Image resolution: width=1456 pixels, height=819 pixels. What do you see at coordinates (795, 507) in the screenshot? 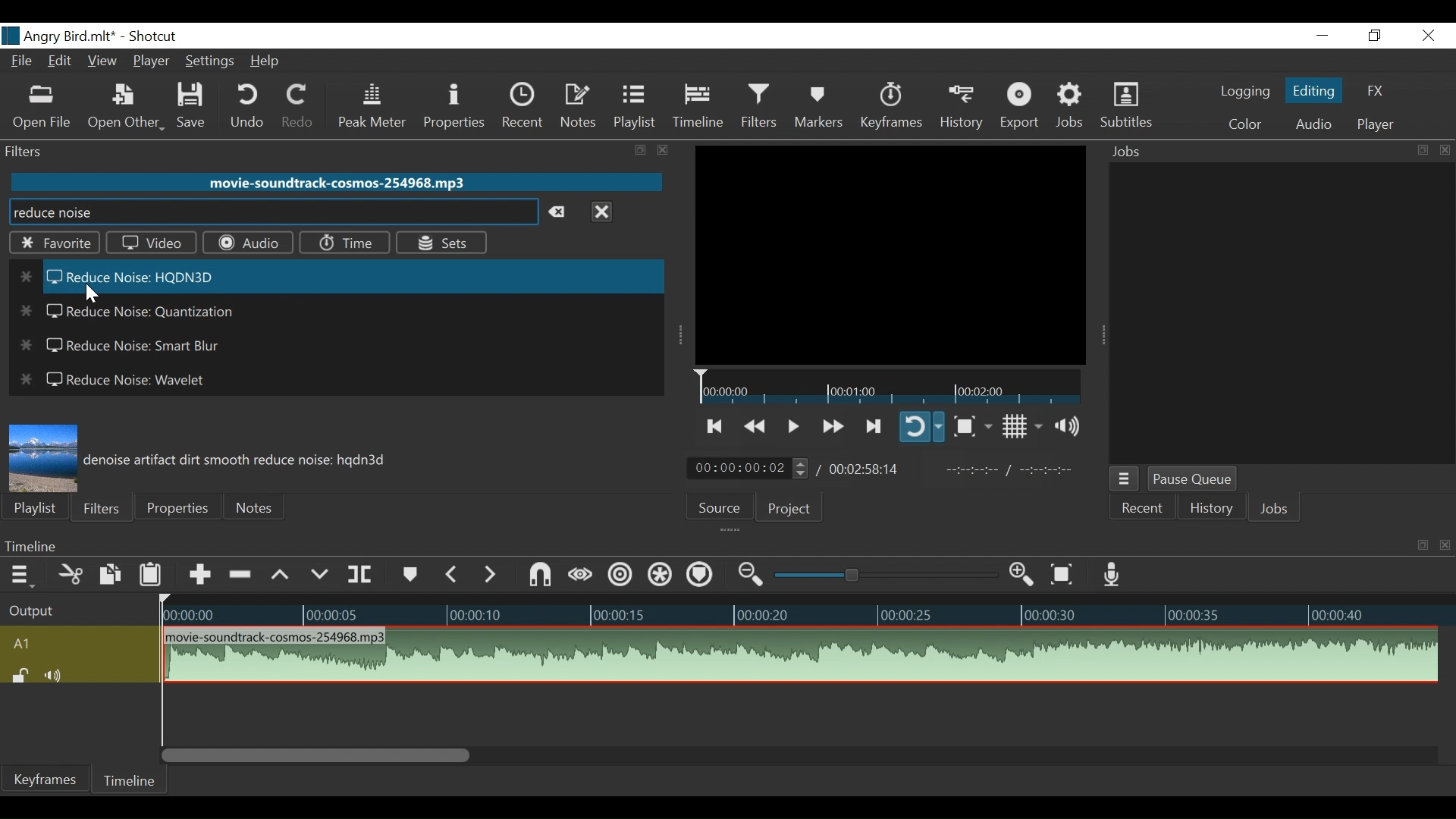
I see `Project` at bounding box center [795, 507].